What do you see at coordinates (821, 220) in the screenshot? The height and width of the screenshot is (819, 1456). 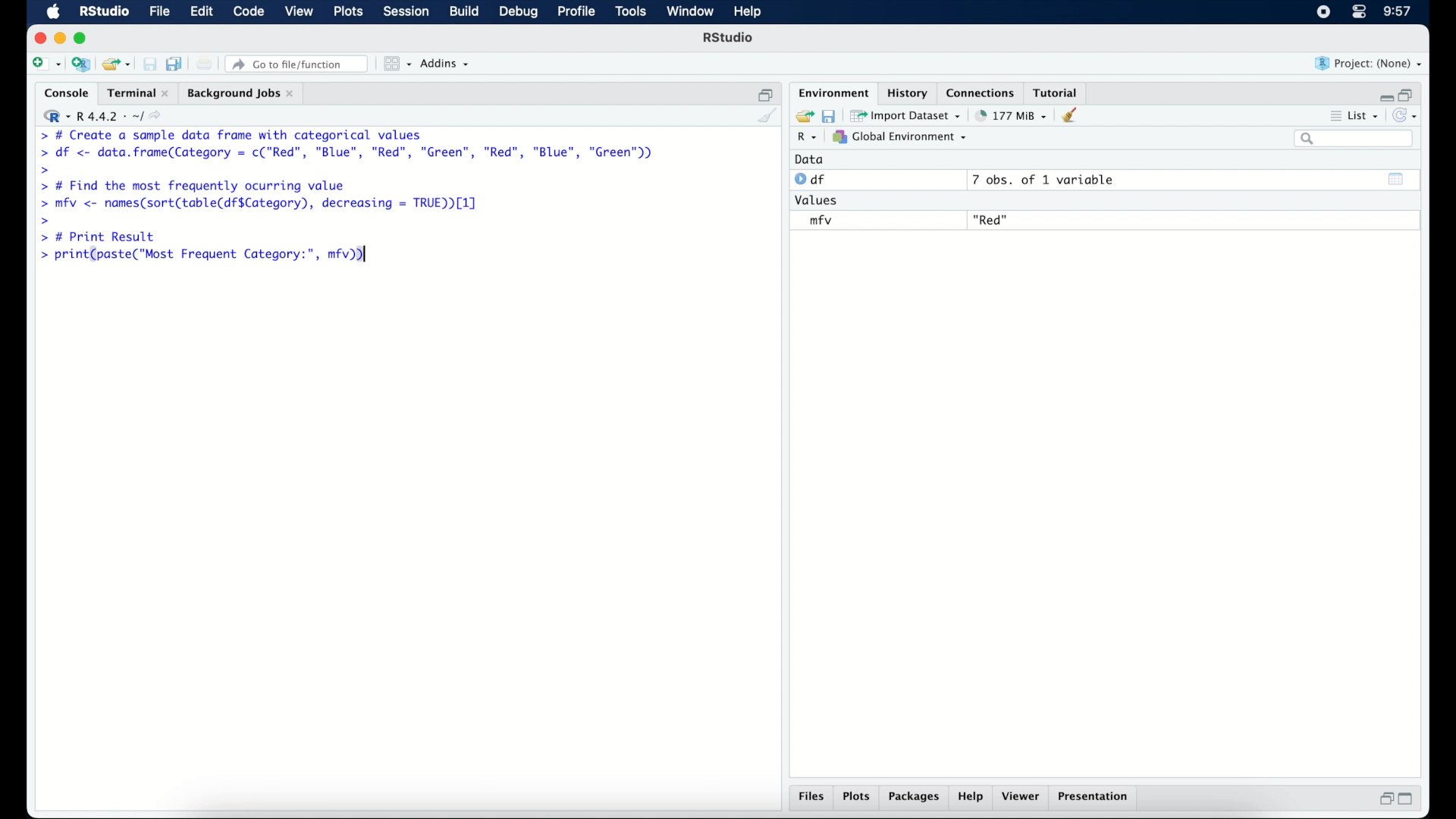 I see `mfv` at bounding box center [821, 220].